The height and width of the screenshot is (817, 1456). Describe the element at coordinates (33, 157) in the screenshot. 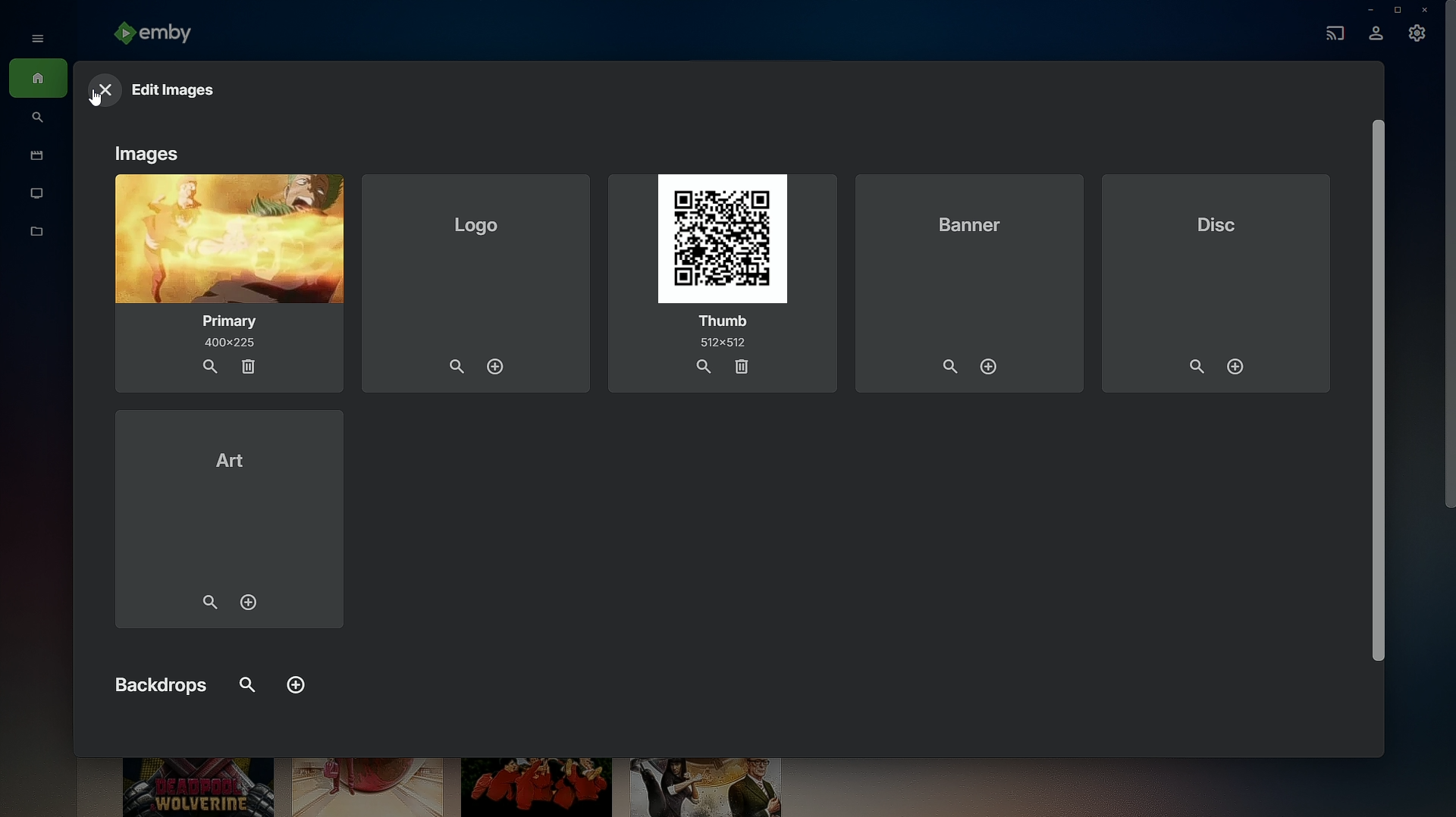

I see `Movies` at that location.